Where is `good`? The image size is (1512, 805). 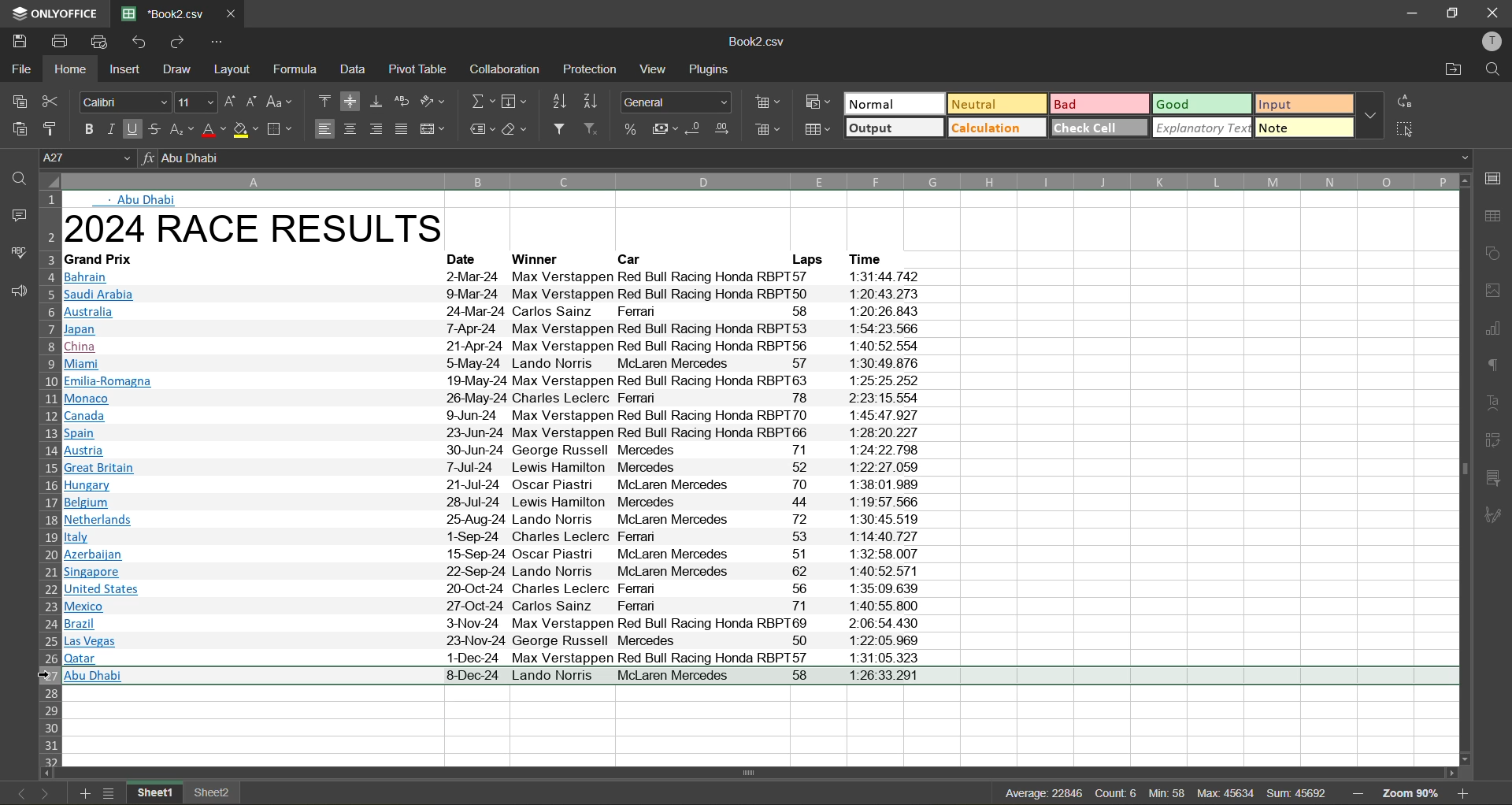
good is located at coordinates (1203, 102).